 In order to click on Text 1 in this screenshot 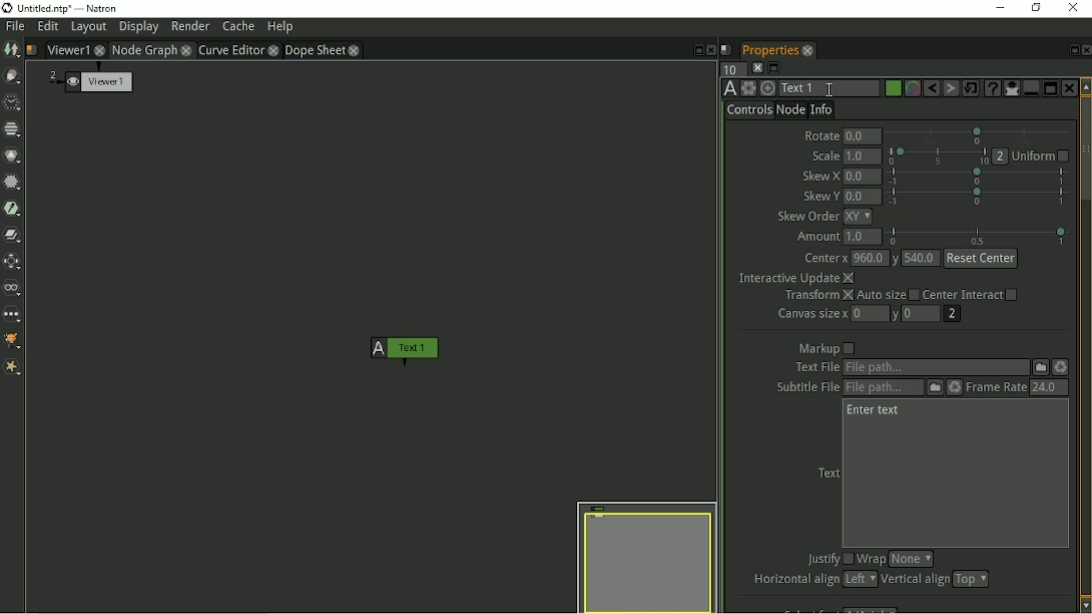, I will do `click(831, 88)`.